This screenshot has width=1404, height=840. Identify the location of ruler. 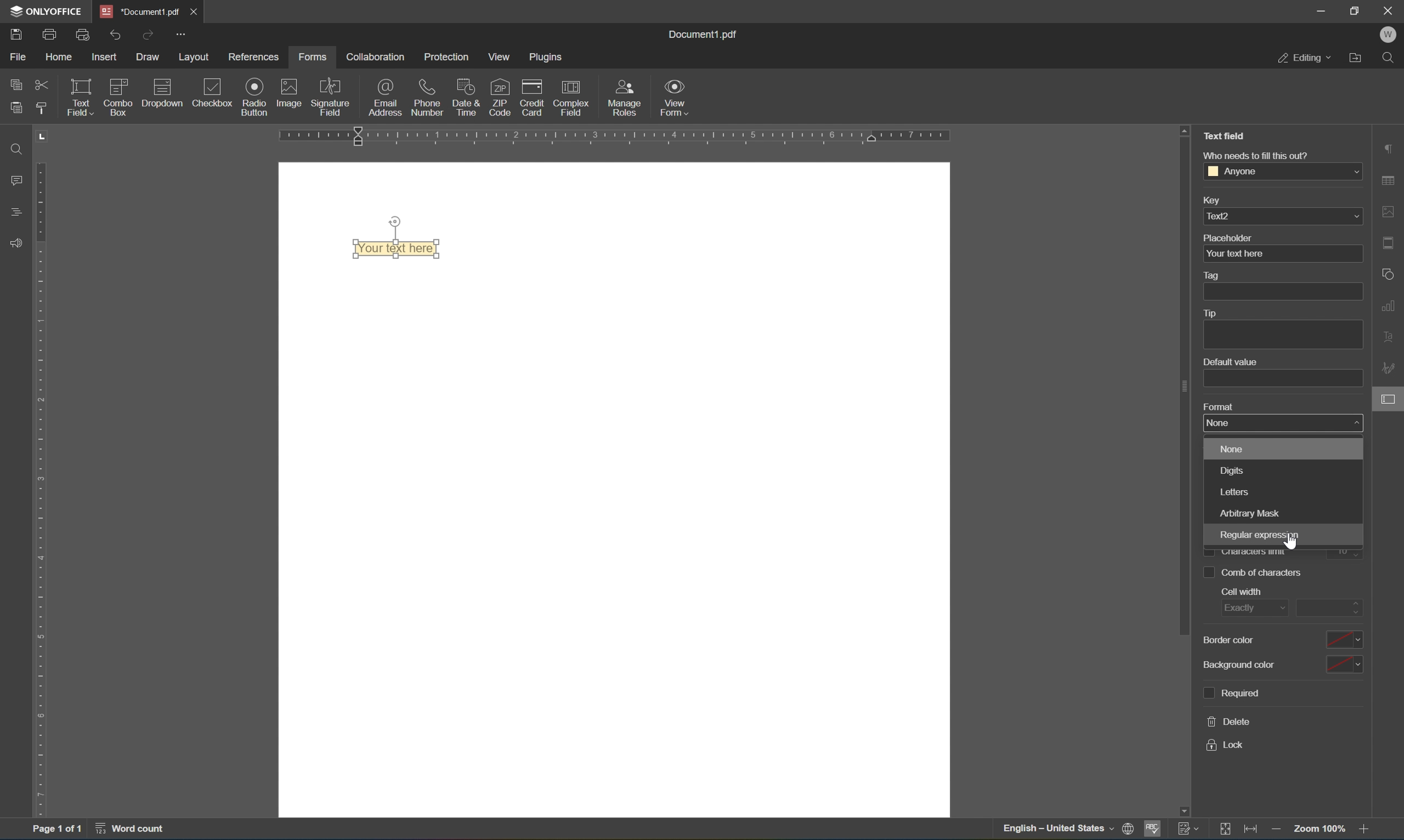
(614, 137).